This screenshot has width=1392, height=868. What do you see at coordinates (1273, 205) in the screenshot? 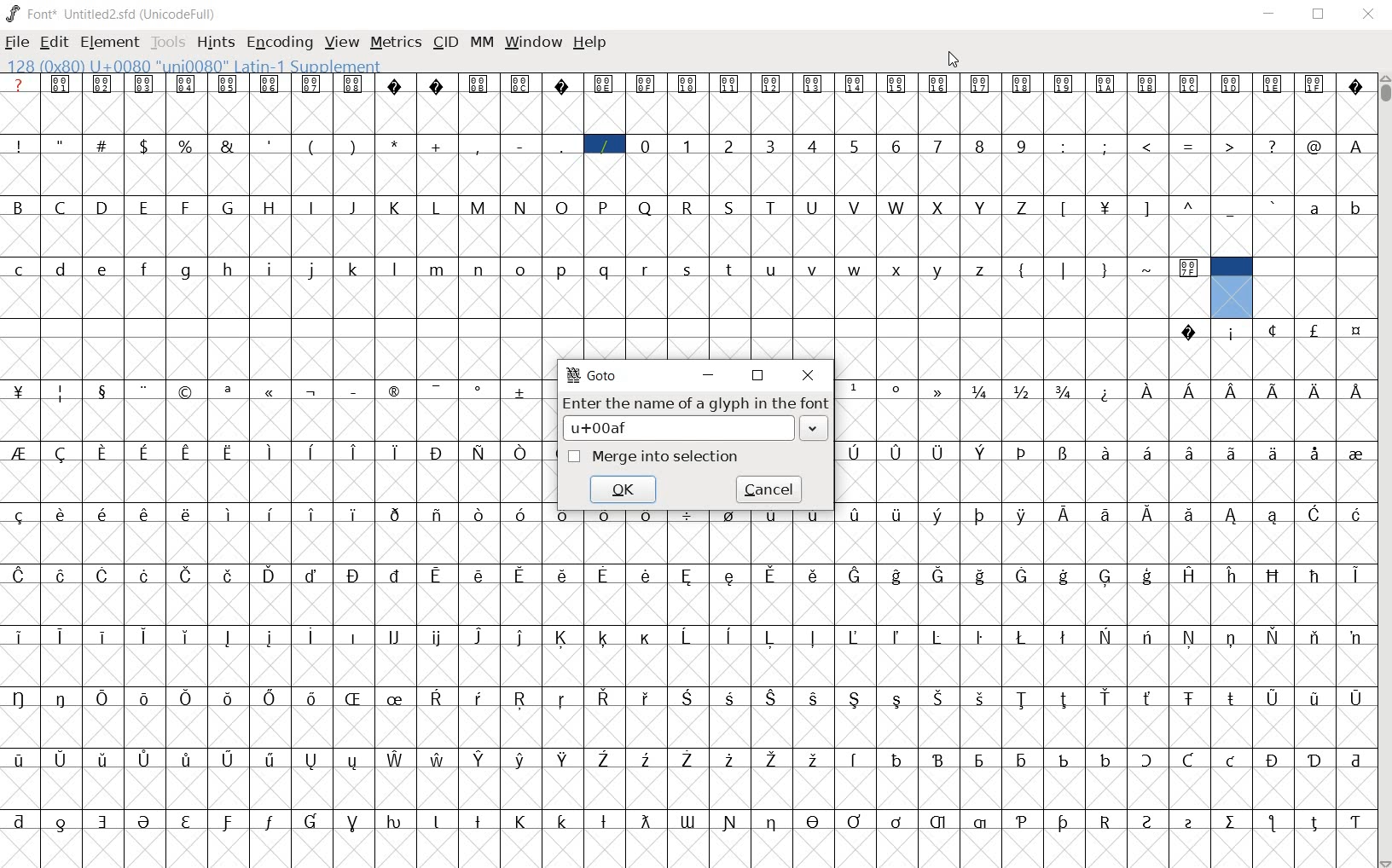
I see ``` at bounding box center [1273, 205].